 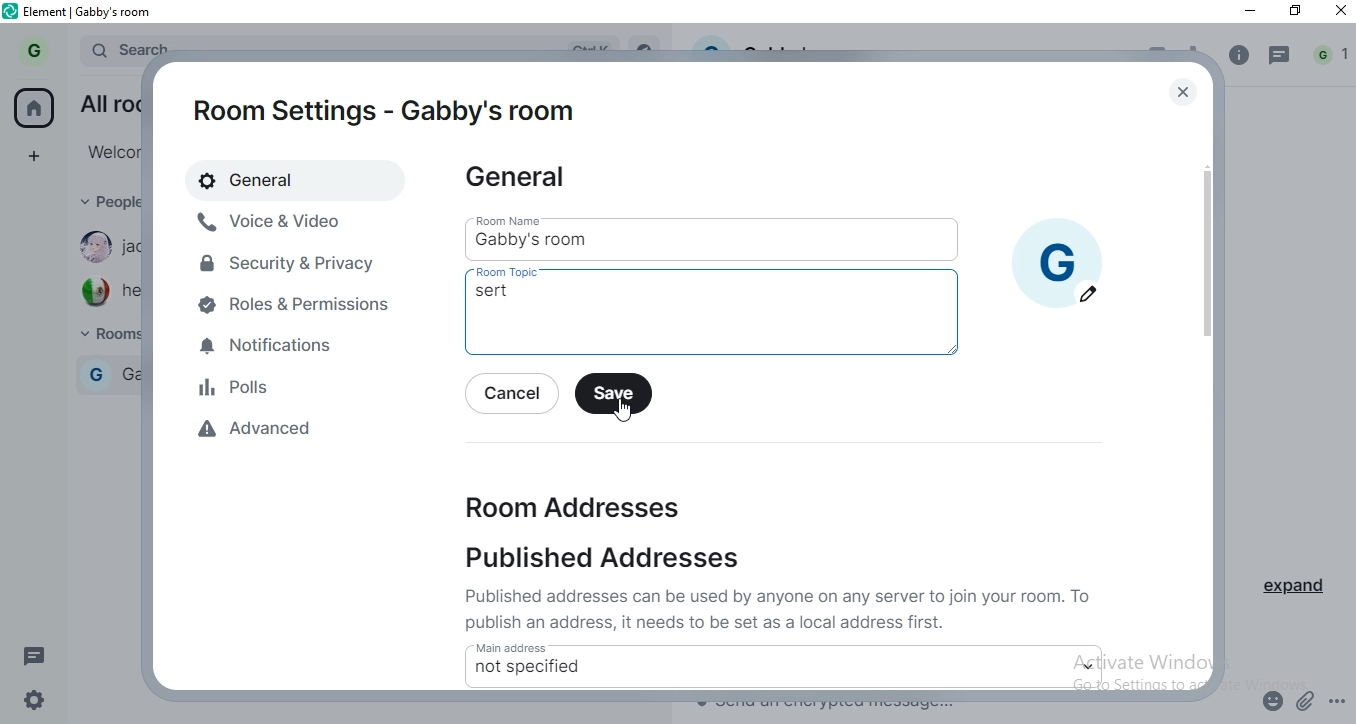 What do you see at coordinates (112, 372) in the screenshot?
I see `gabby room` at bounding box center [112, 372].